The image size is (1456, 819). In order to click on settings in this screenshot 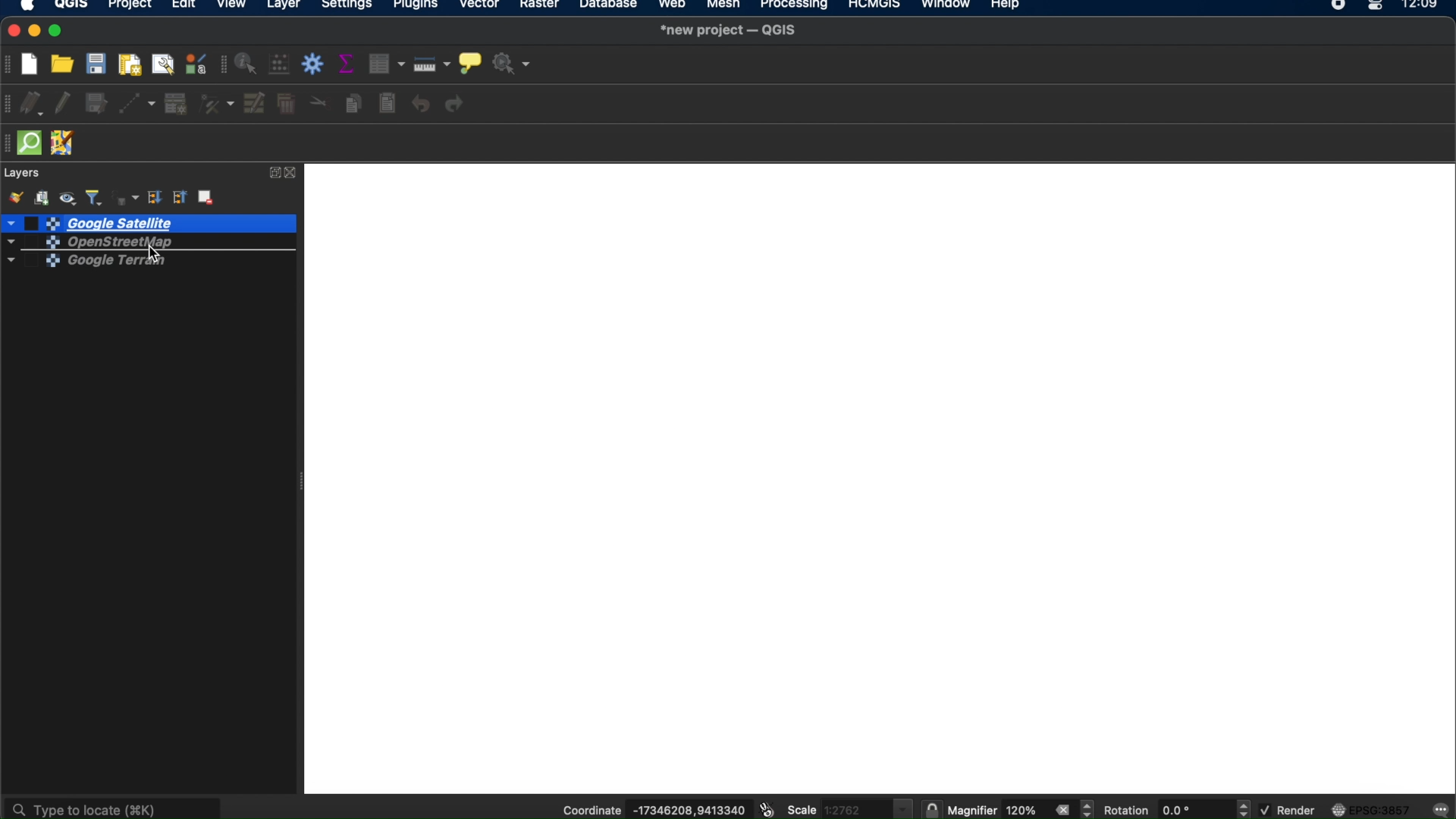, I will do `click(347, 6)`.